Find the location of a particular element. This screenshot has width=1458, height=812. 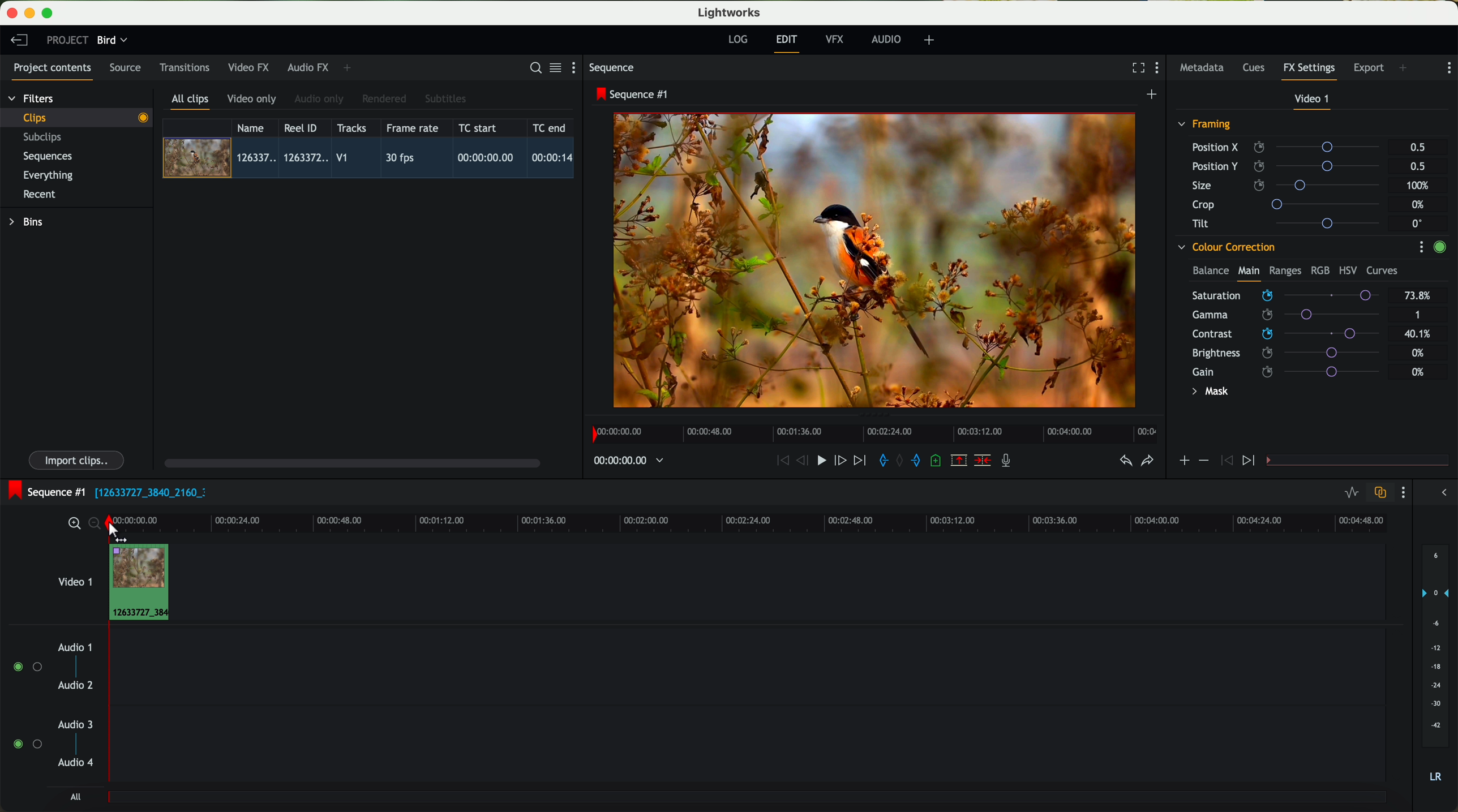

sequence #1 is located at coordinates (44, 492).